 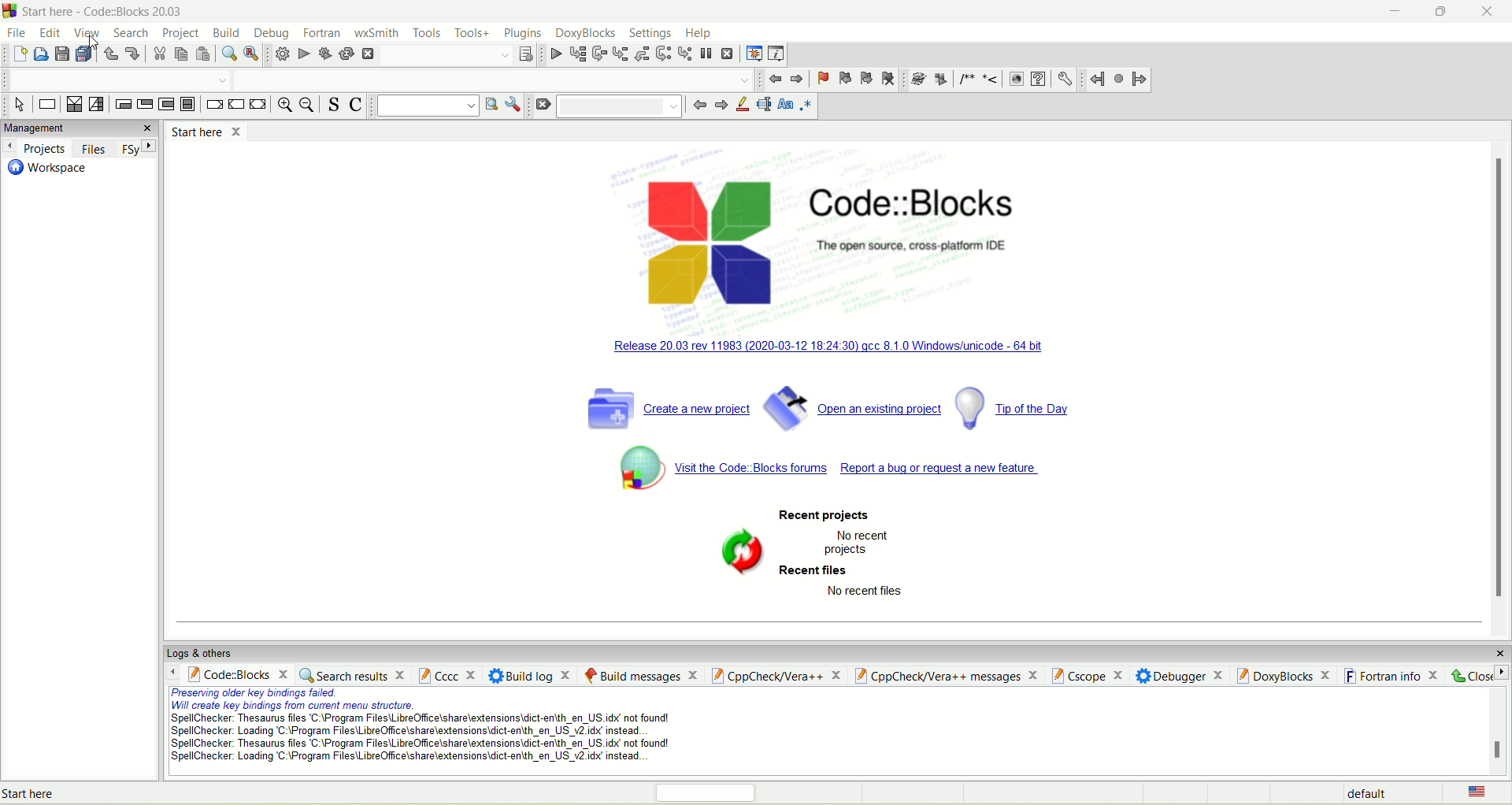 What do you see at coordinates (447, 676) in the screenshot?
I see `Cccc` at bounding box center [447, 676].